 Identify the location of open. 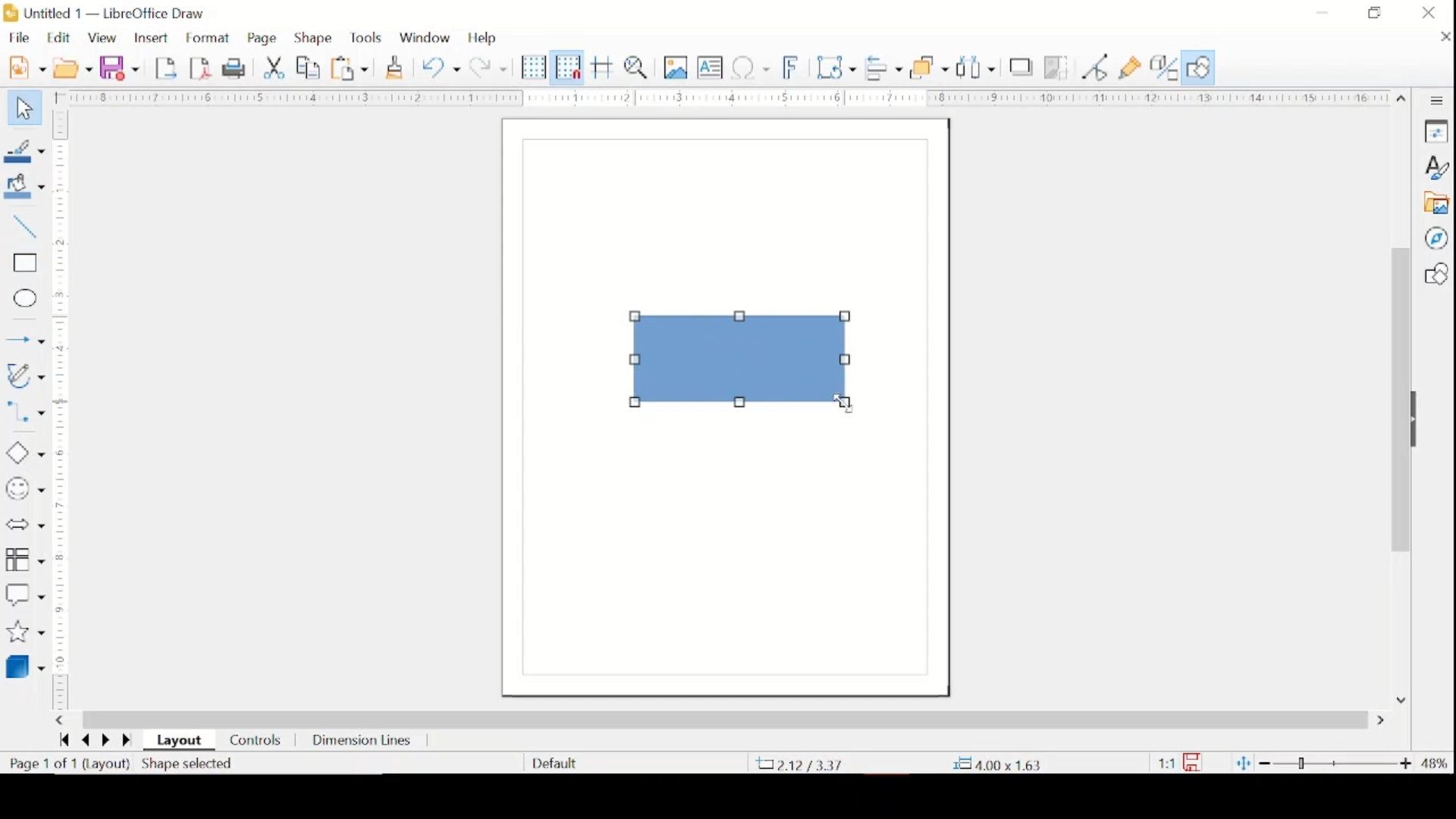
(73, 67).